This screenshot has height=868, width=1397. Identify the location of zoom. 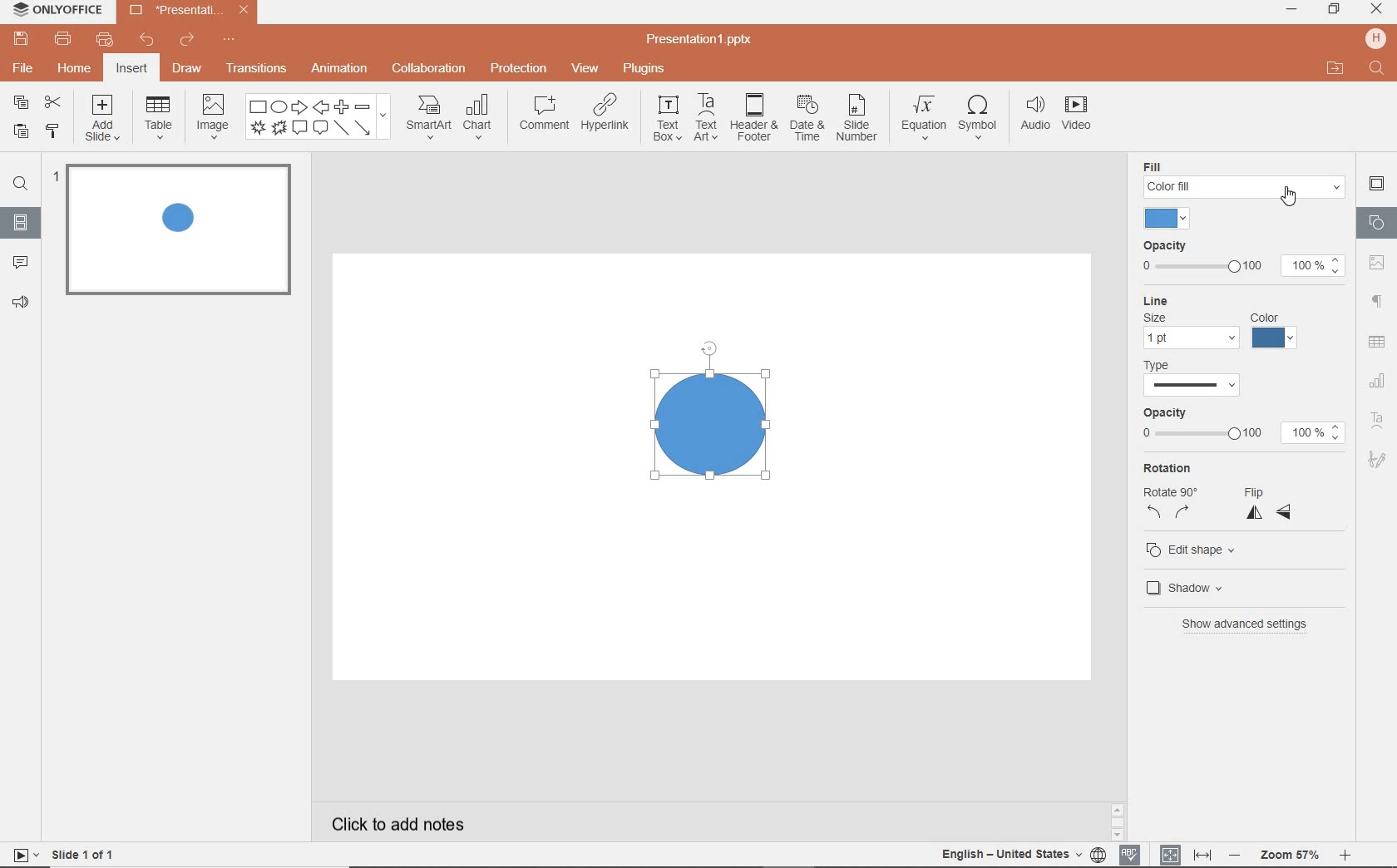
(1290, 856).